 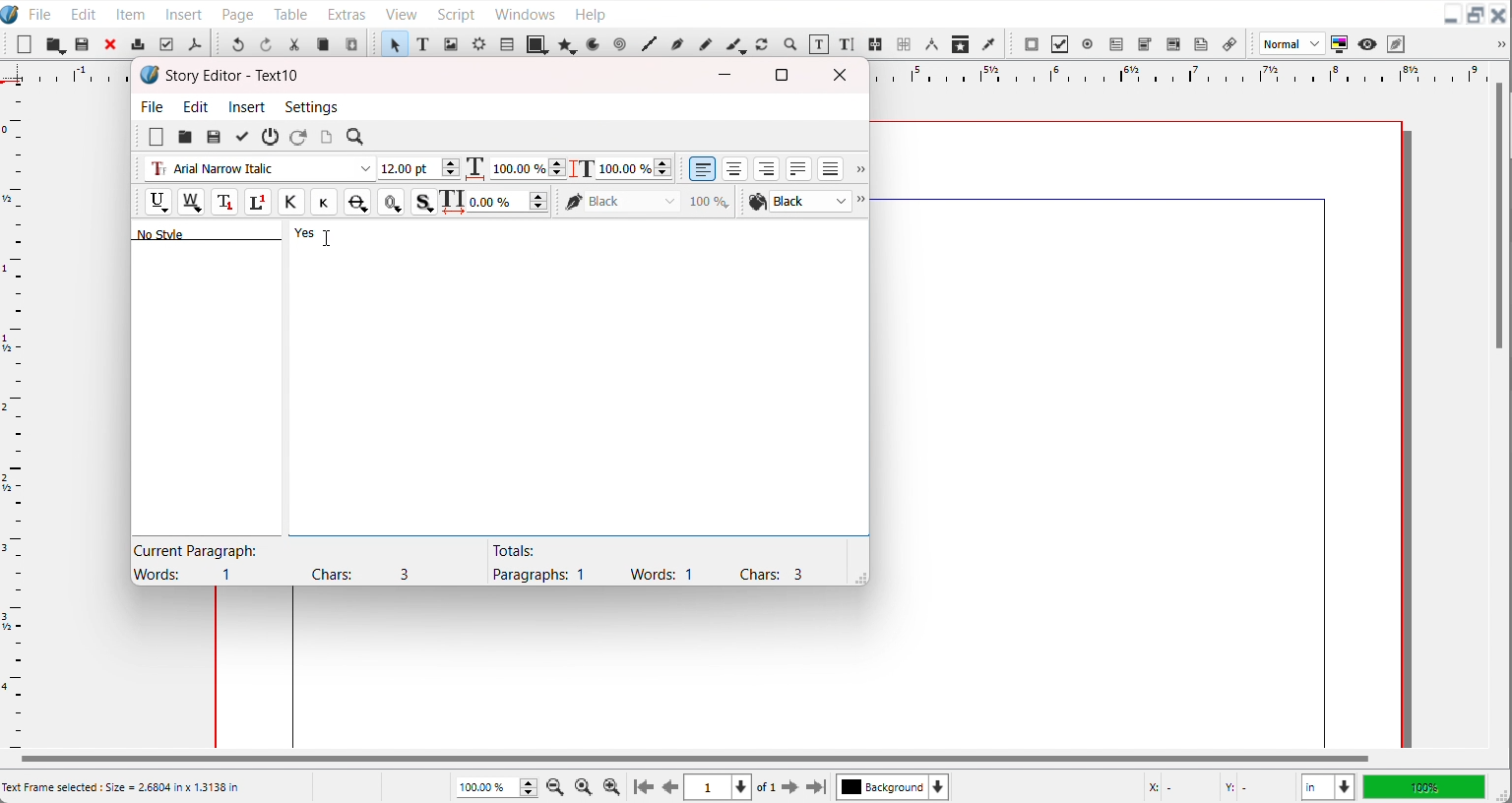 I want to click on New , so click(x=157, y=137).